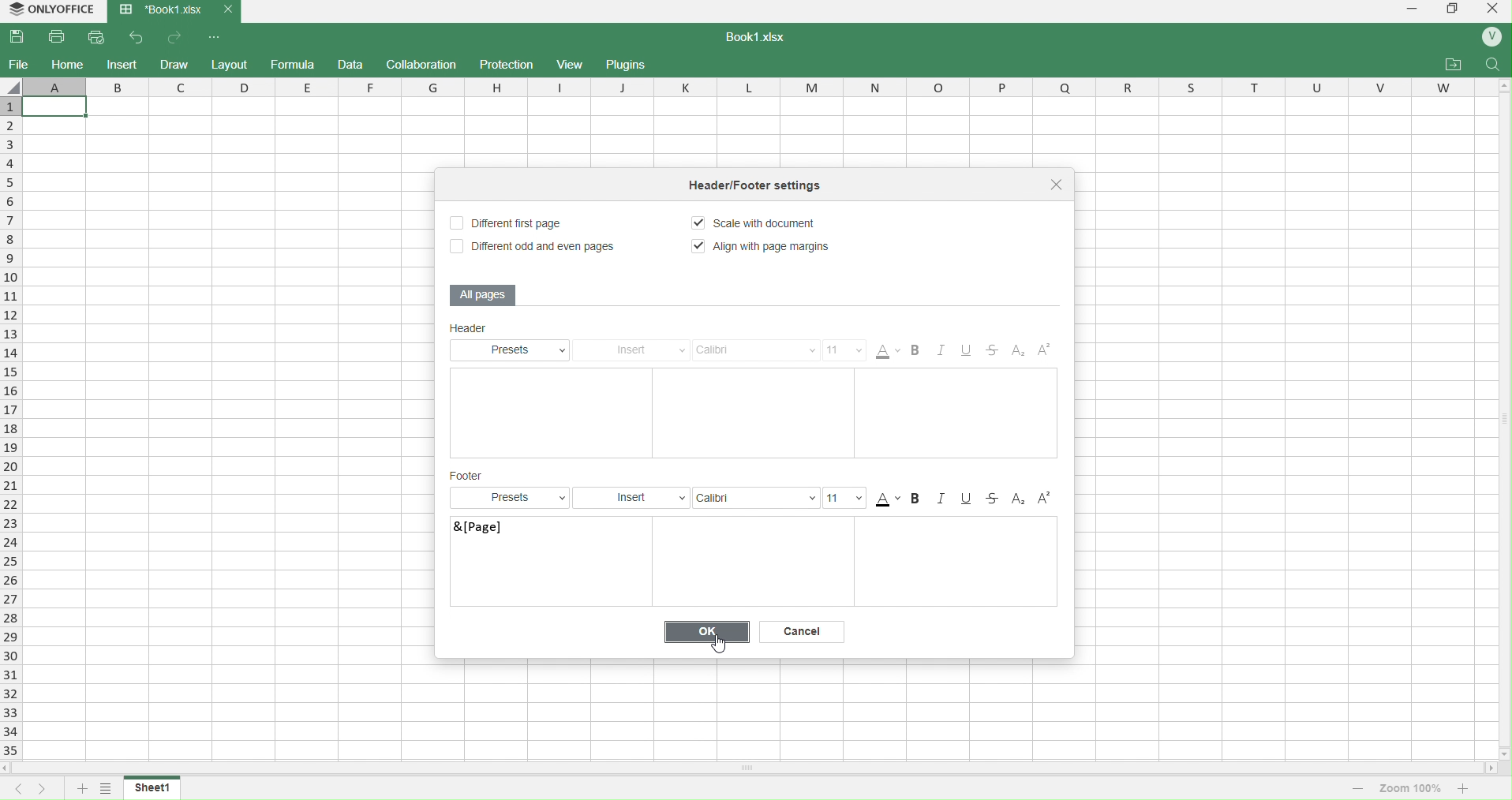 The image size is (1512, 800). Describe the element at coordinates (967, 499) in the screenshot. I see `Underline` at that location.